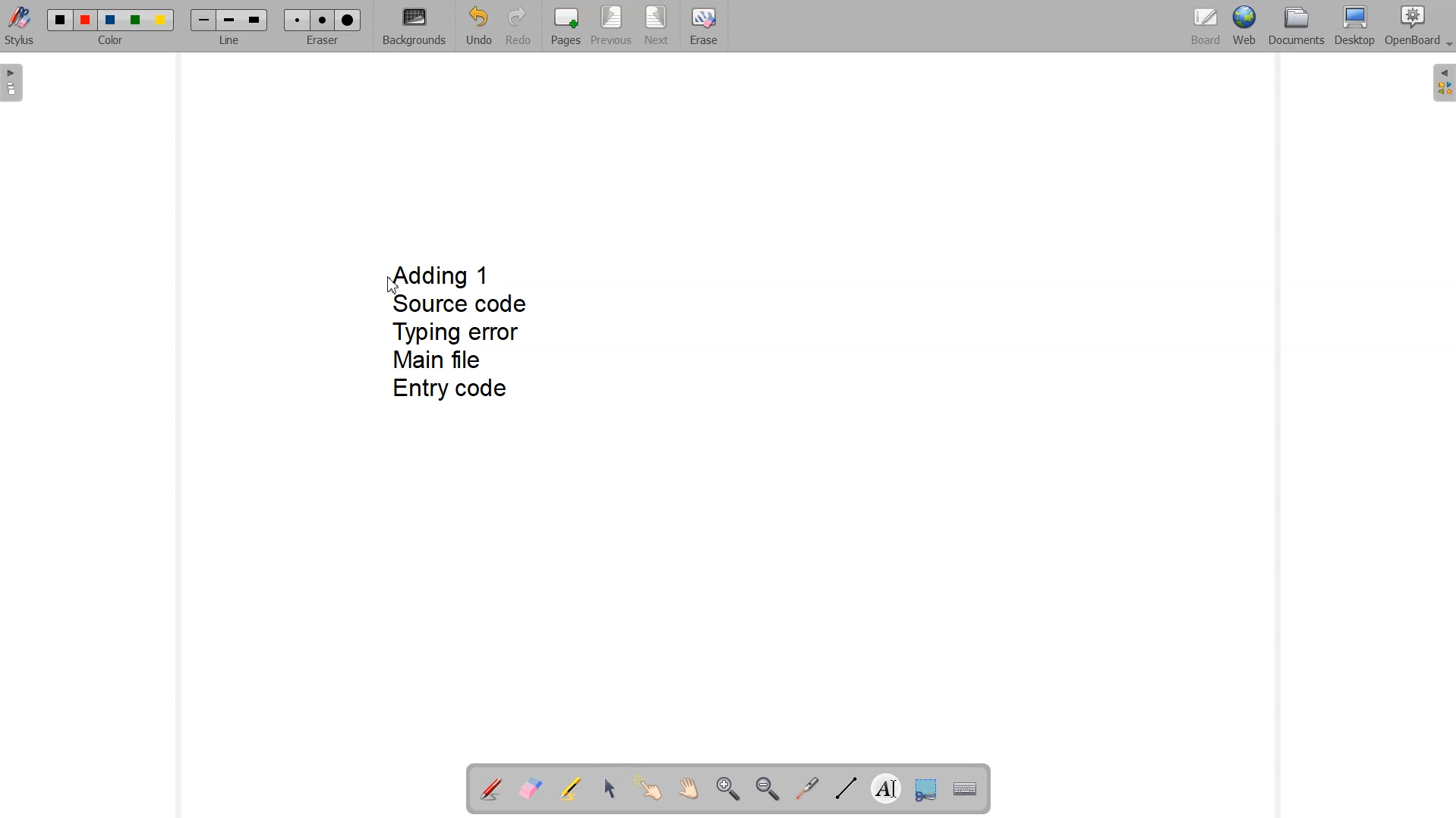  What do you see at coordinates (61, 20) in the screenshot?
I see `Color 1` at bounding box center [61, 20].